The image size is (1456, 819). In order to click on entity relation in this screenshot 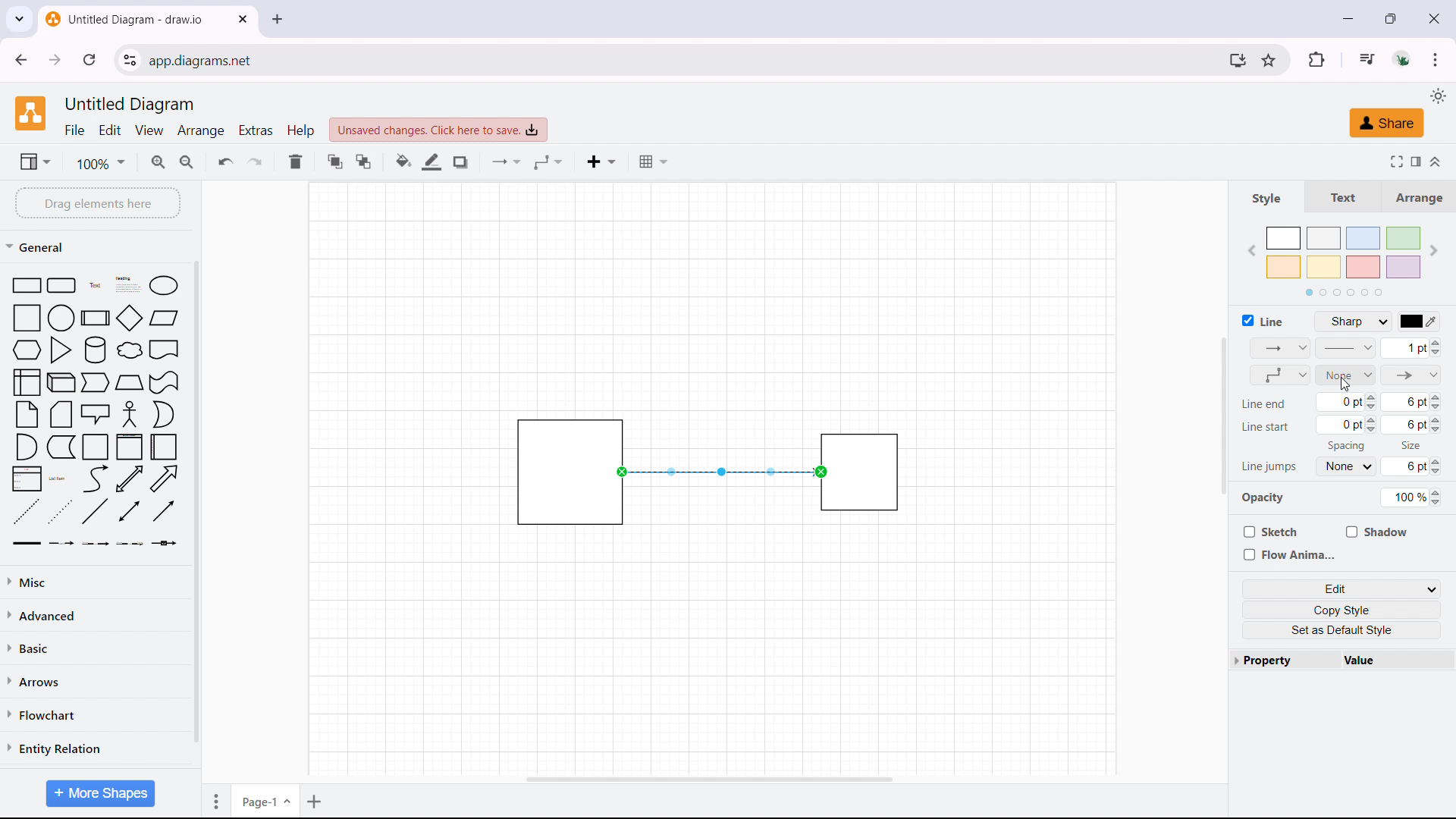, I will do `click(95, 748)`.